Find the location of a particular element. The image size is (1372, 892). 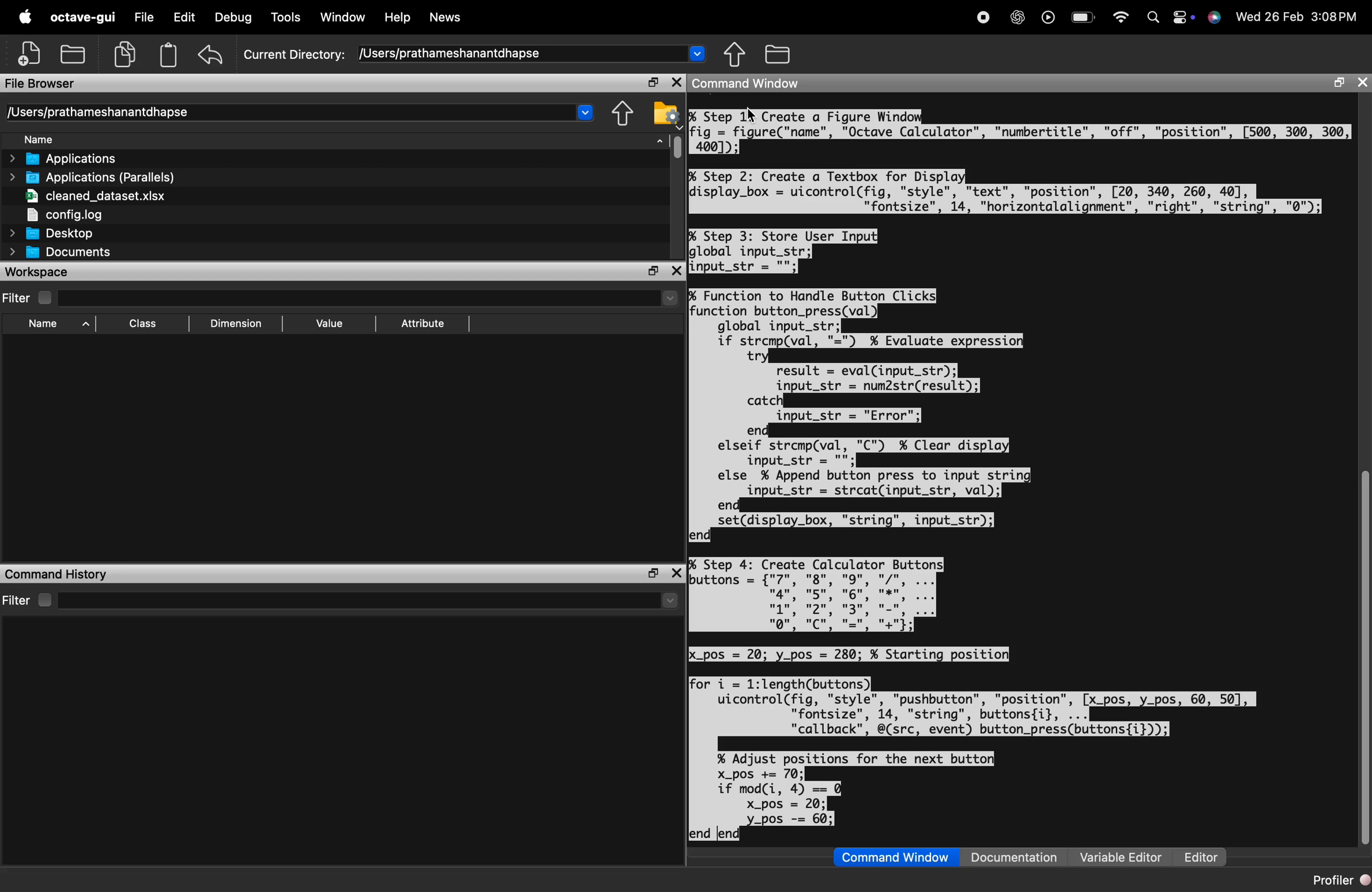

search here is located at coordinates (368, 601).